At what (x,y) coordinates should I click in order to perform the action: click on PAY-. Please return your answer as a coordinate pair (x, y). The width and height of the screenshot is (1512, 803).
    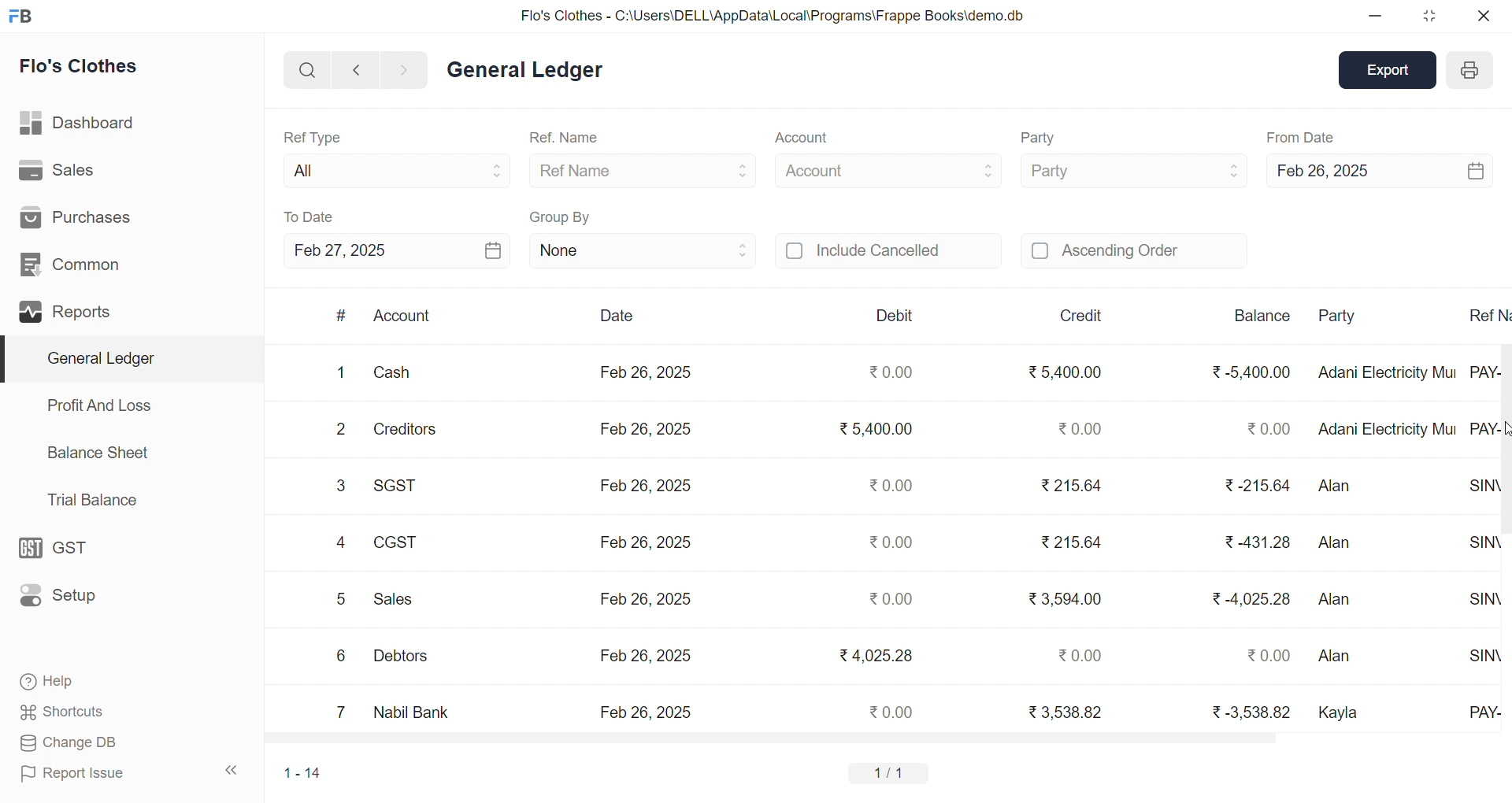
    Looking at the image, I should click on (1475, 426).